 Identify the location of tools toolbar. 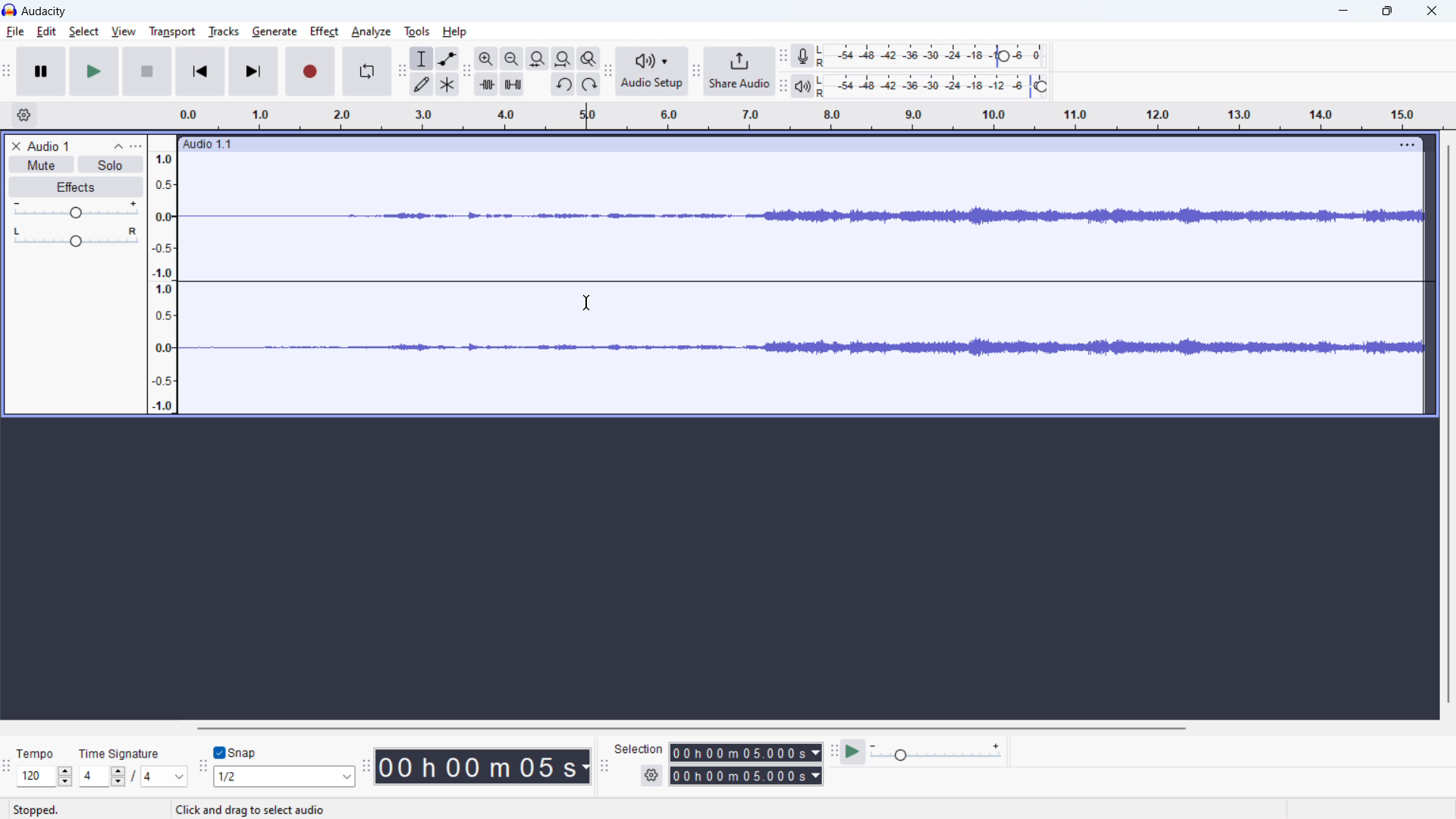
(402, 72).